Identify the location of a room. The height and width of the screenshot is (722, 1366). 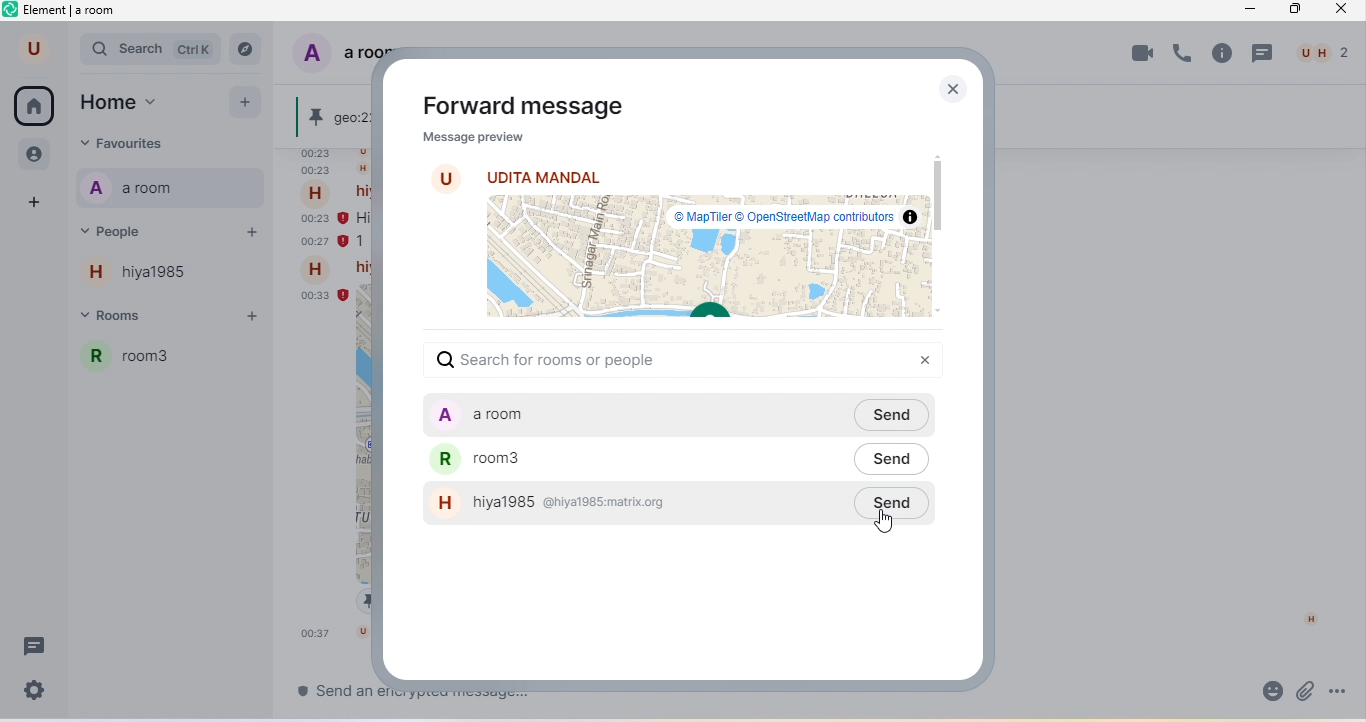
(625, 413).